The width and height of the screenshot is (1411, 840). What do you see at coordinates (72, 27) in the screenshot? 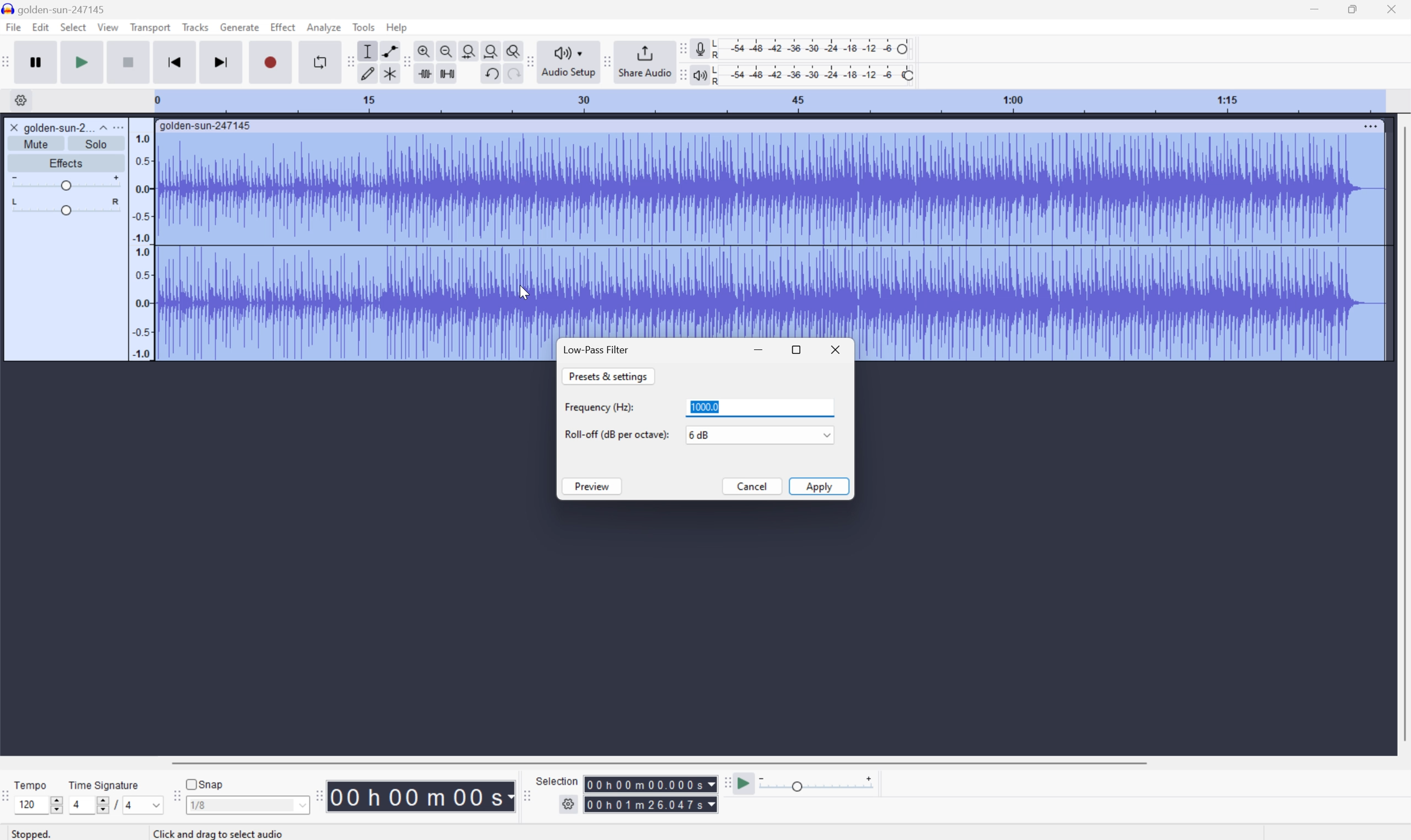
I see `Select` at bounding box center [72, 27].